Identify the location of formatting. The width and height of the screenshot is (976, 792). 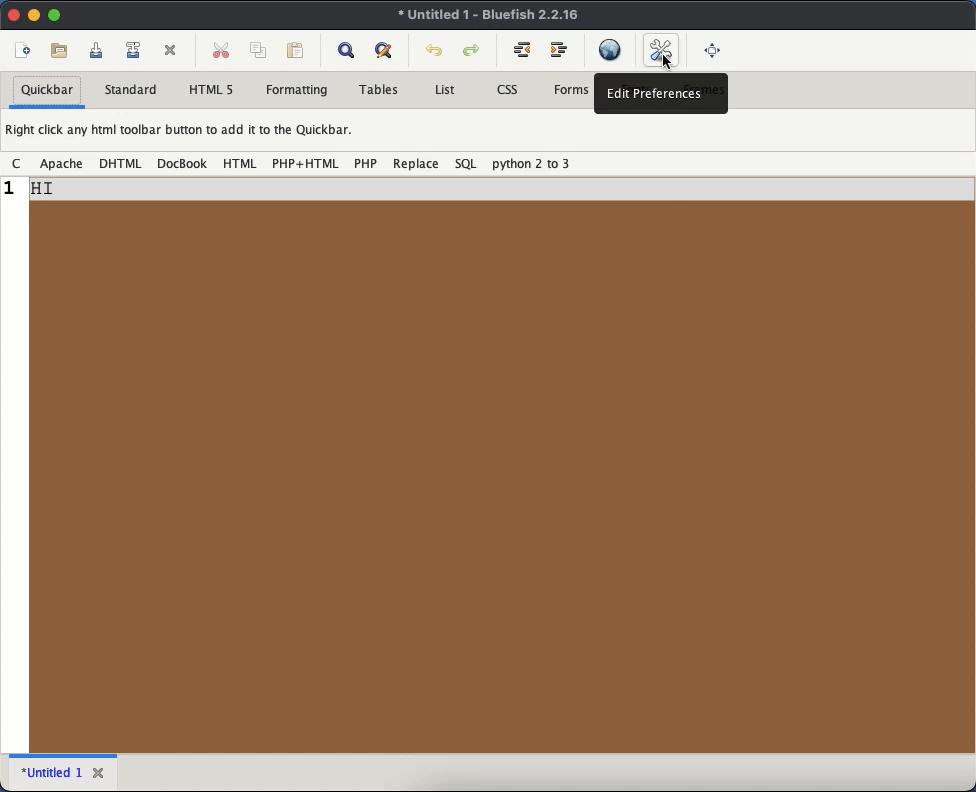
(298, 91).